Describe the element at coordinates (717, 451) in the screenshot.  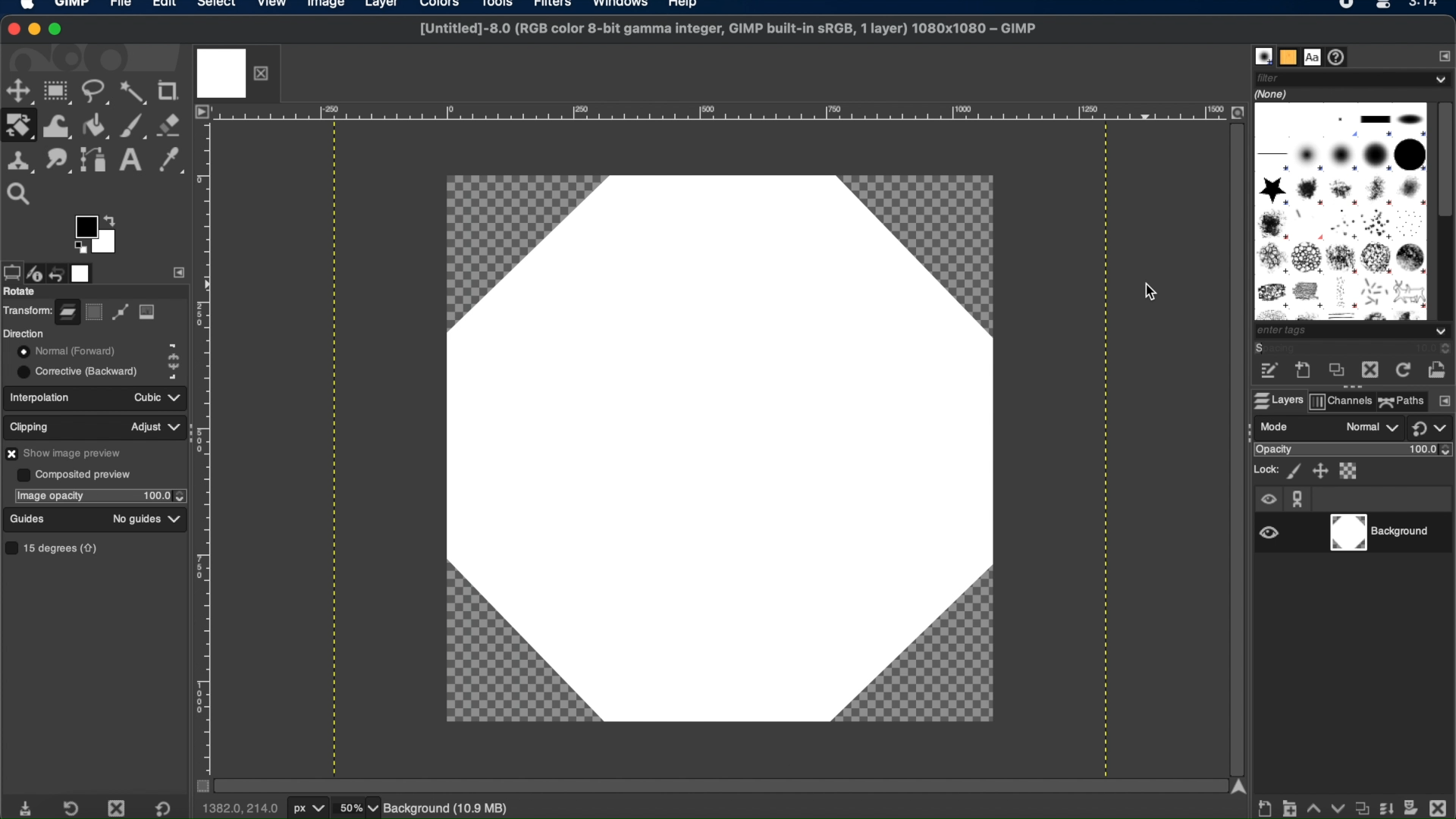
I see `canvas` at that location.